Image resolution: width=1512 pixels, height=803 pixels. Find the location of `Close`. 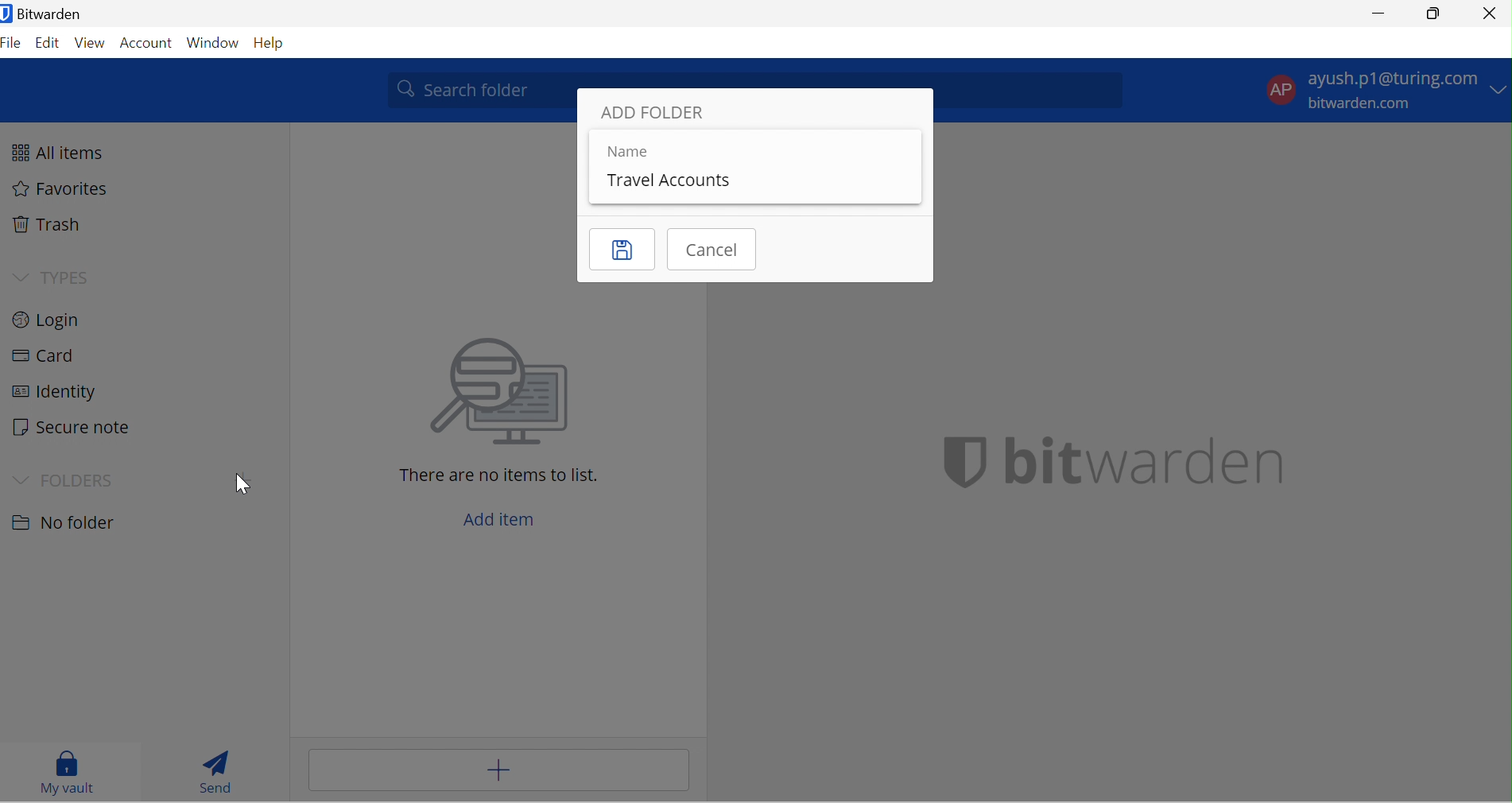

Close is located at coordinates (1491, 14).